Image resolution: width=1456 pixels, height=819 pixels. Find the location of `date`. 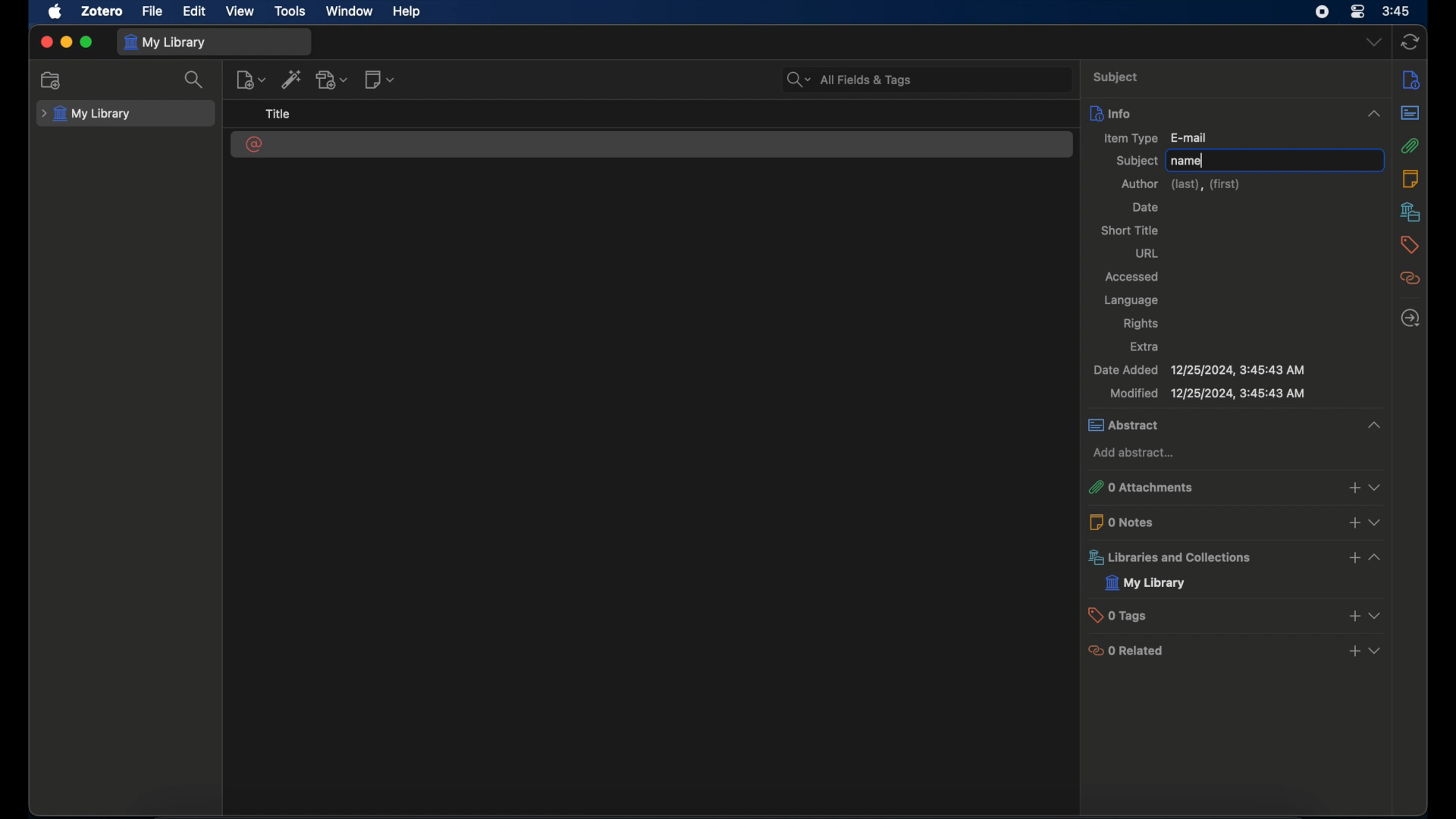

date is located at coordinates (1145, 209).